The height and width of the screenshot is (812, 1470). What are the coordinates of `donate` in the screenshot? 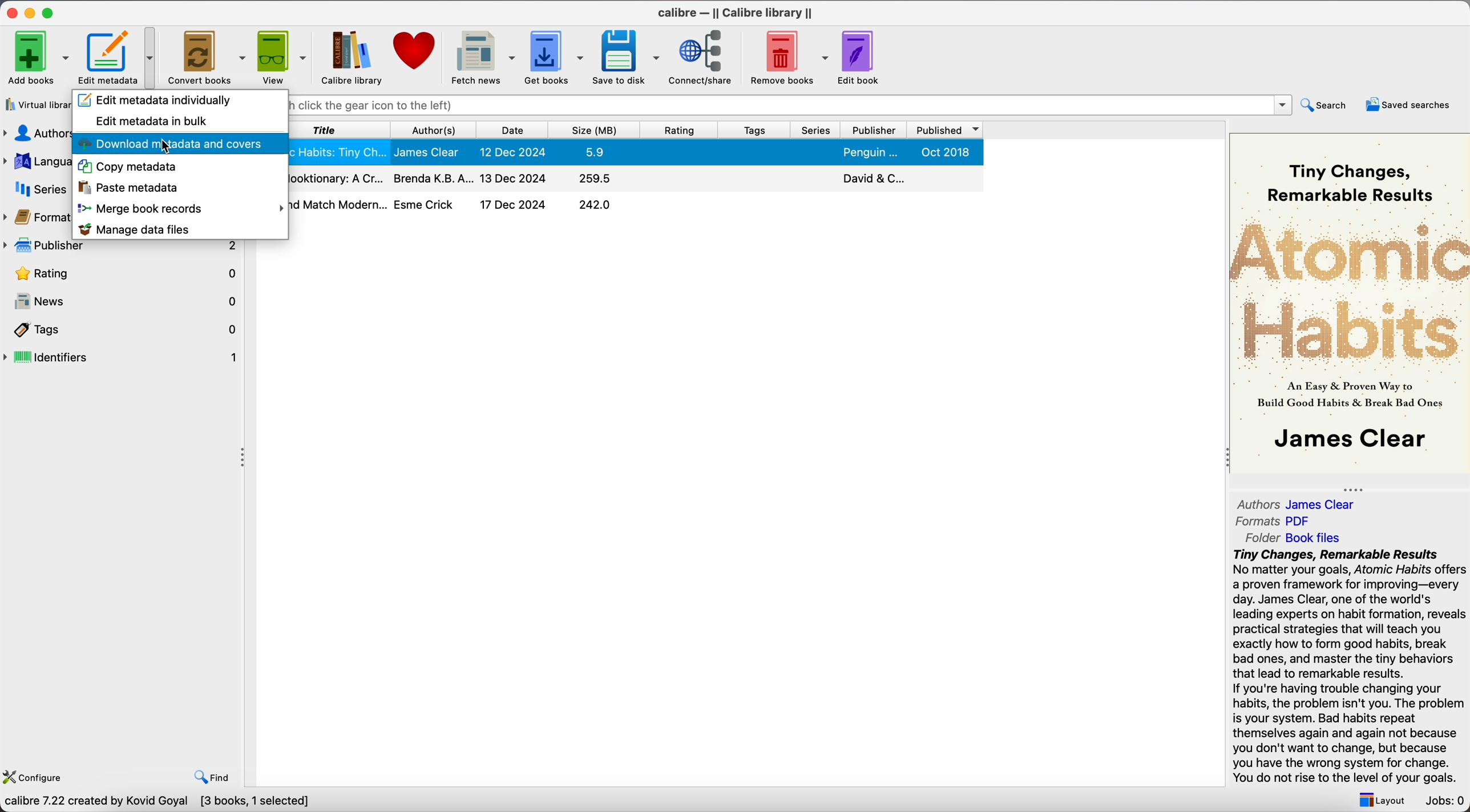 It's located at (417, 51).